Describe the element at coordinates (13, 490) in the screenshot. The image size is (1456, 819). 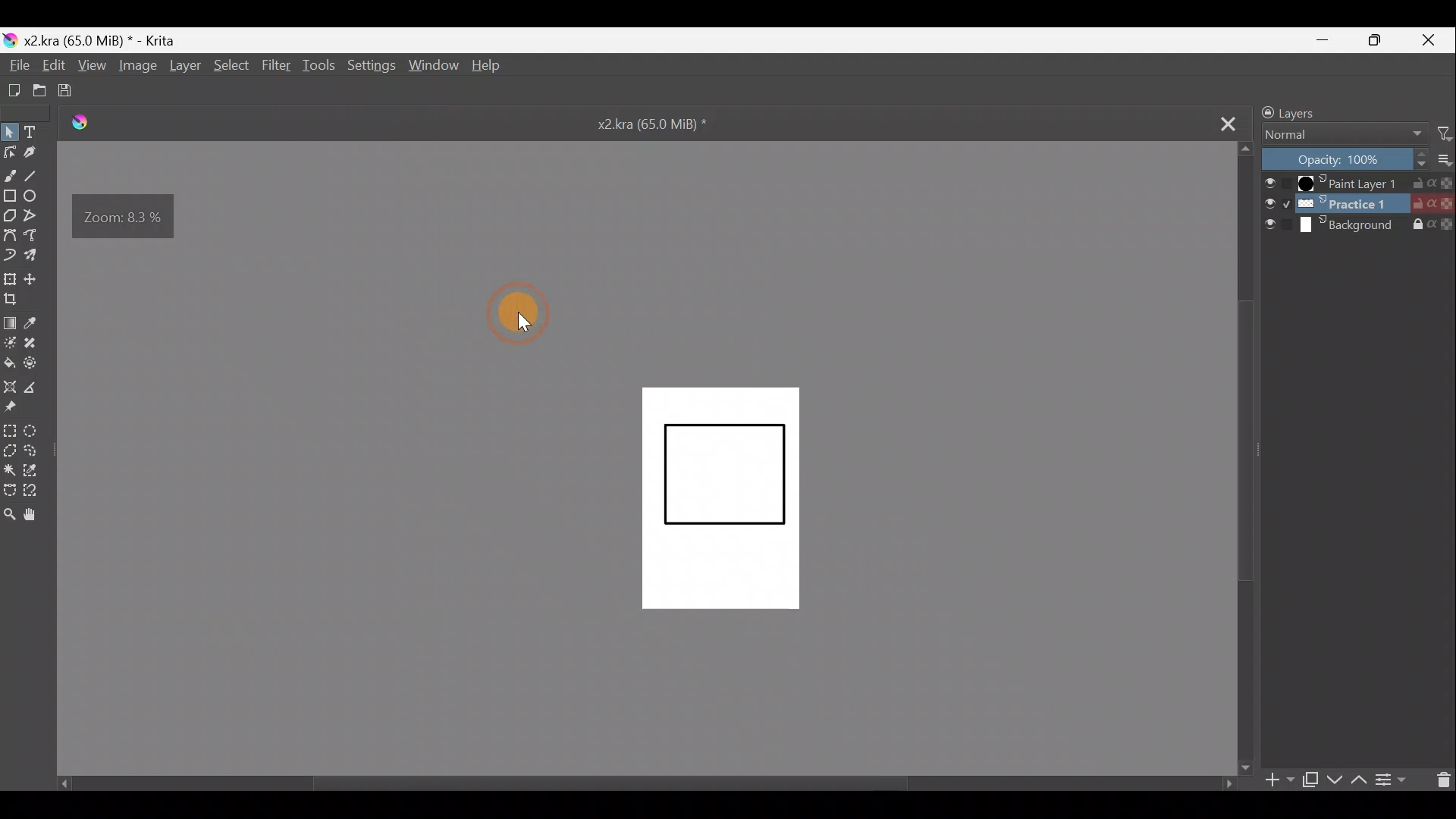
I see `Bezier curve selection tool` at that location.